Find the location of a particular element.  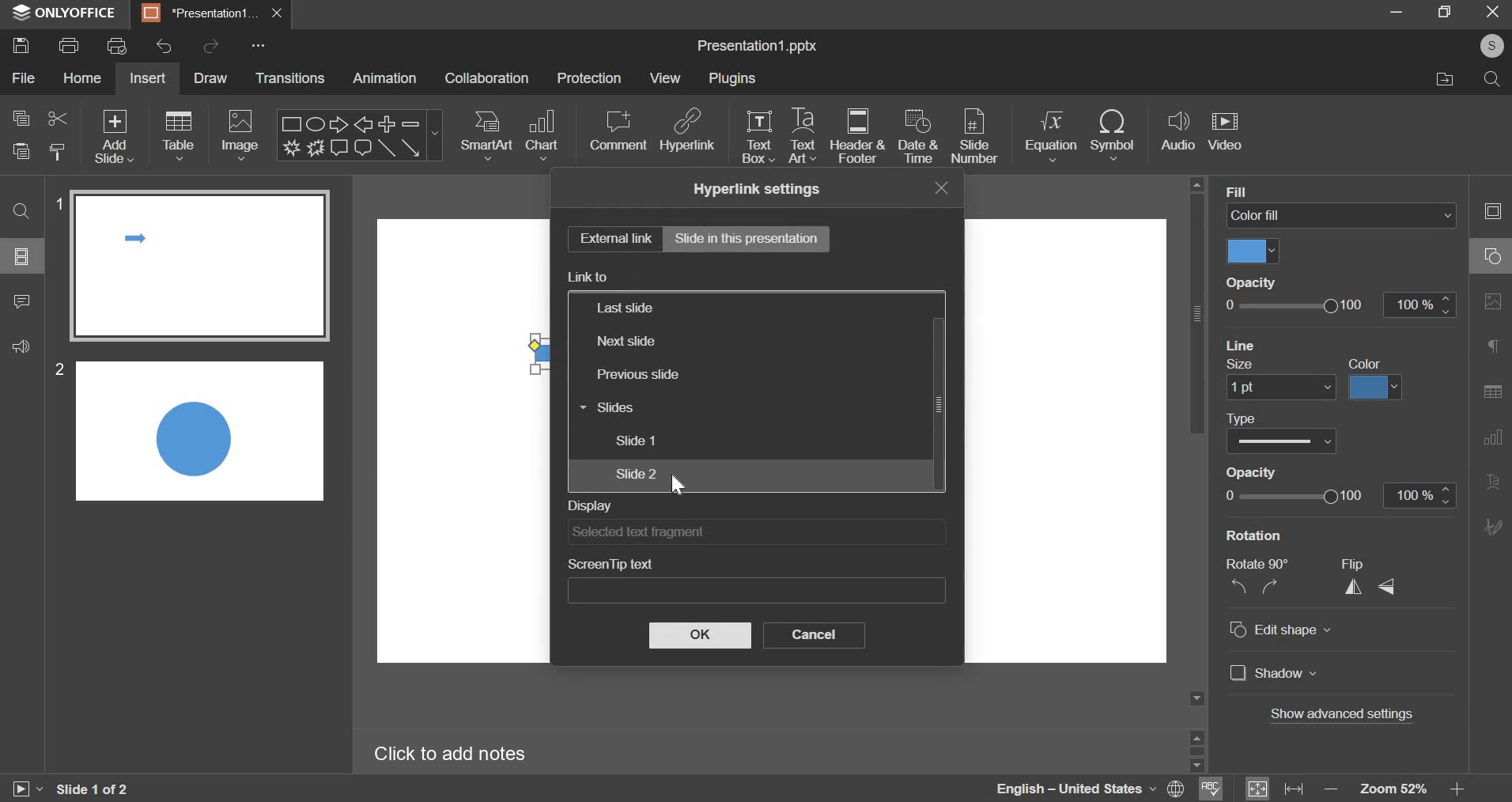

feedback is located at coordinates (20, 346).